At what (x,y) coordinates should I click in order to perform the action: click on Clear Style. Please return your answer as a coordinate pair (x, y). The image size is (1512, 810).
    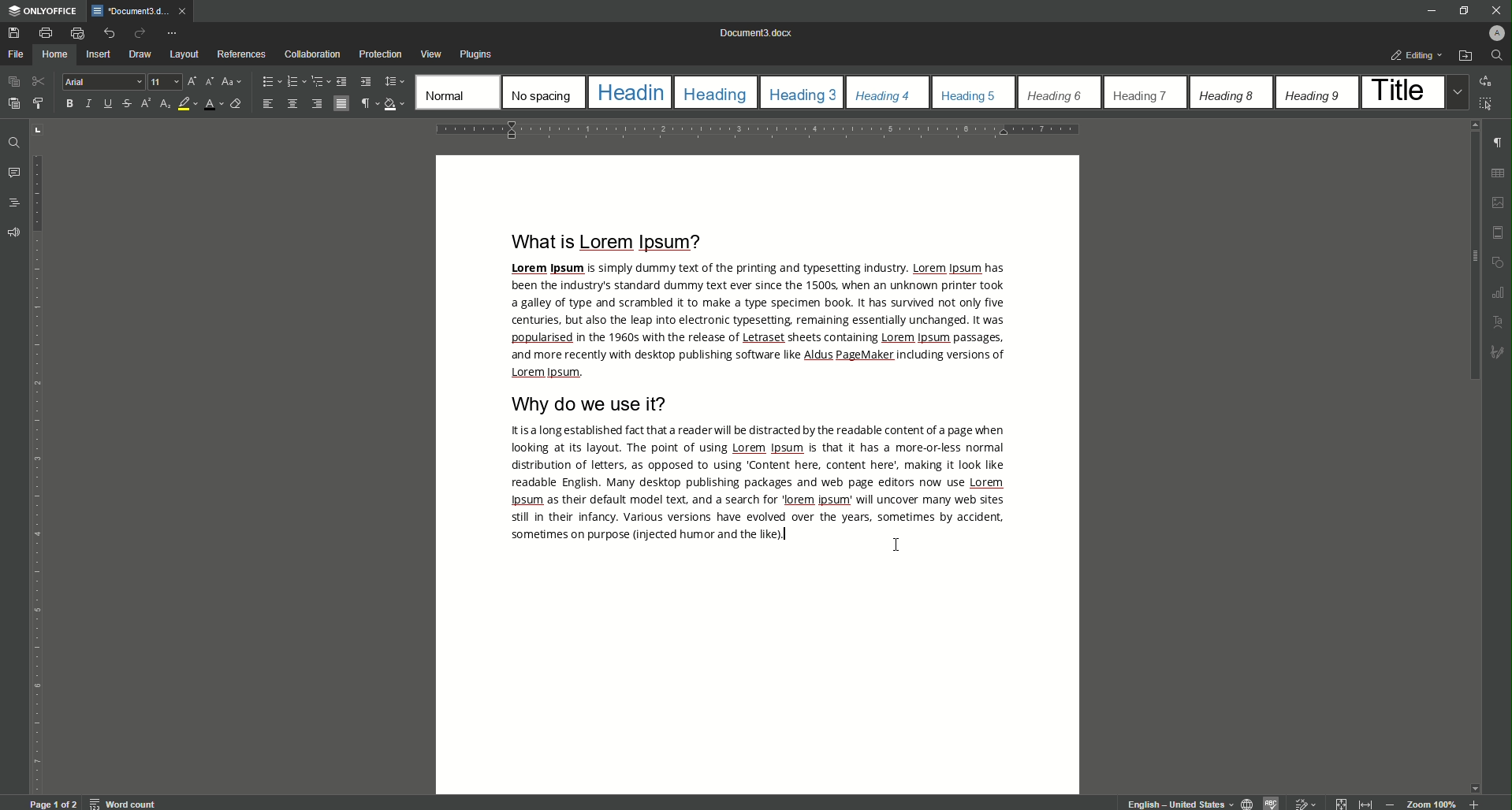
    Looking at the image, I should click on (235, 103).